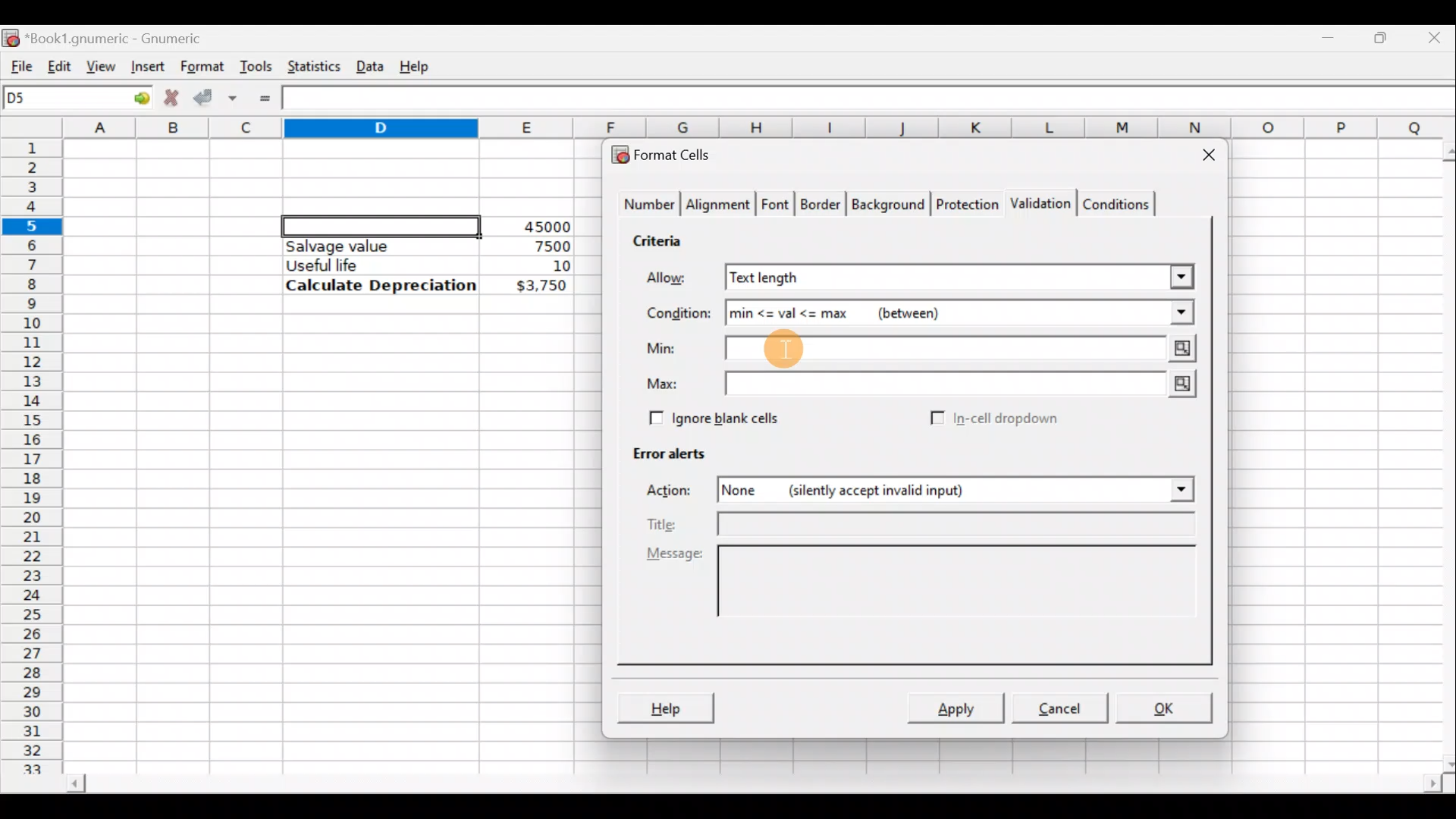 The image size is (1456, 819). Describe the element at coordinates (381, 284) in the screenshot. I see `Calculate Depreciation` at that location.